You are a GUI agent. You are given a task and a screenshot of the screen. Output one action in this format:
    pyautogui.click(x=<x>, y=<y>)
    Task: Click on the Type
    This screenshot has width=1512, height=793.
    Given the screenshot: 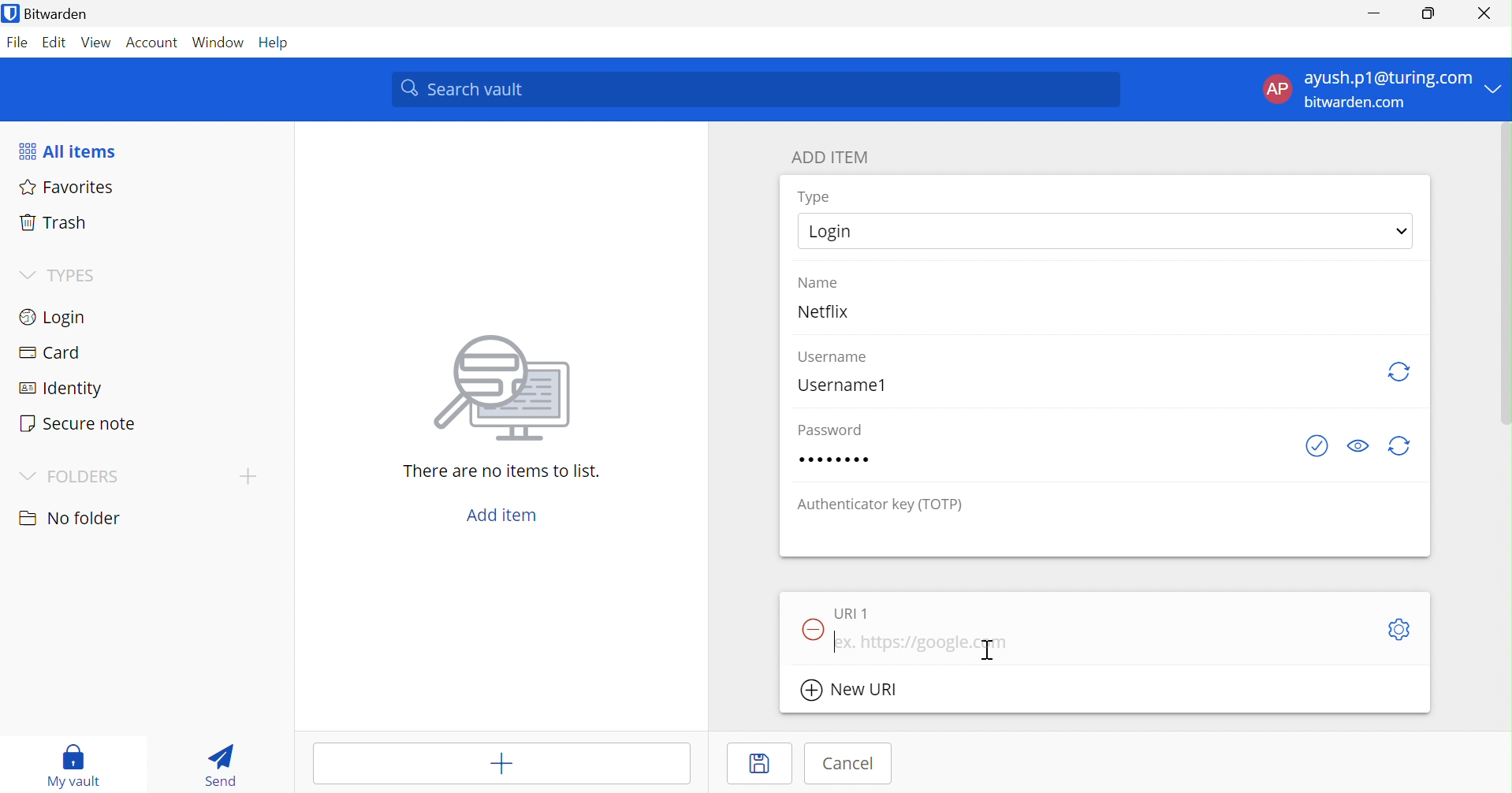 What is the action you would take?
    pyautogui.click(x=813, y=196)
    